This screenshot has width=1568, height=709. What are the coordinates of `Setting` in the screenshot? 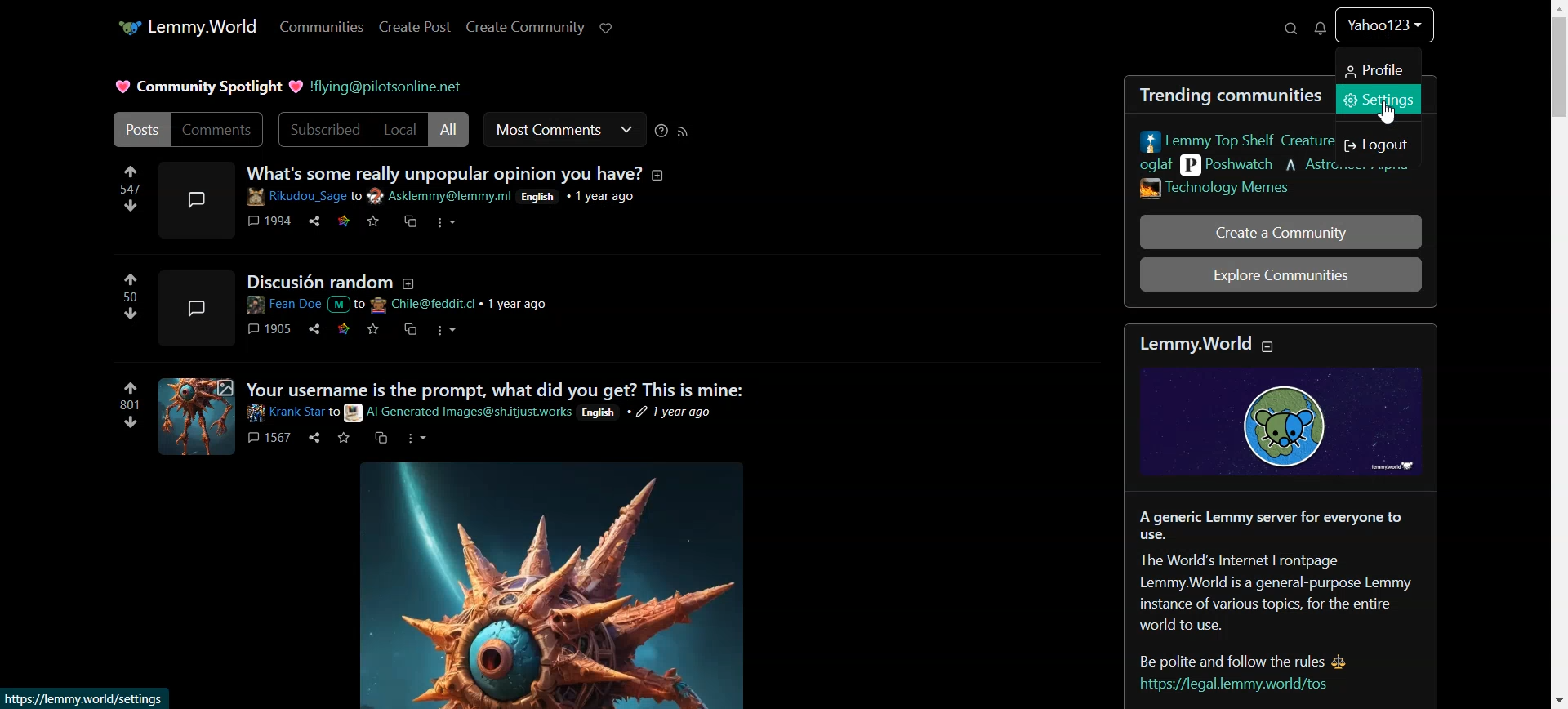 It's located at (1378, 105).